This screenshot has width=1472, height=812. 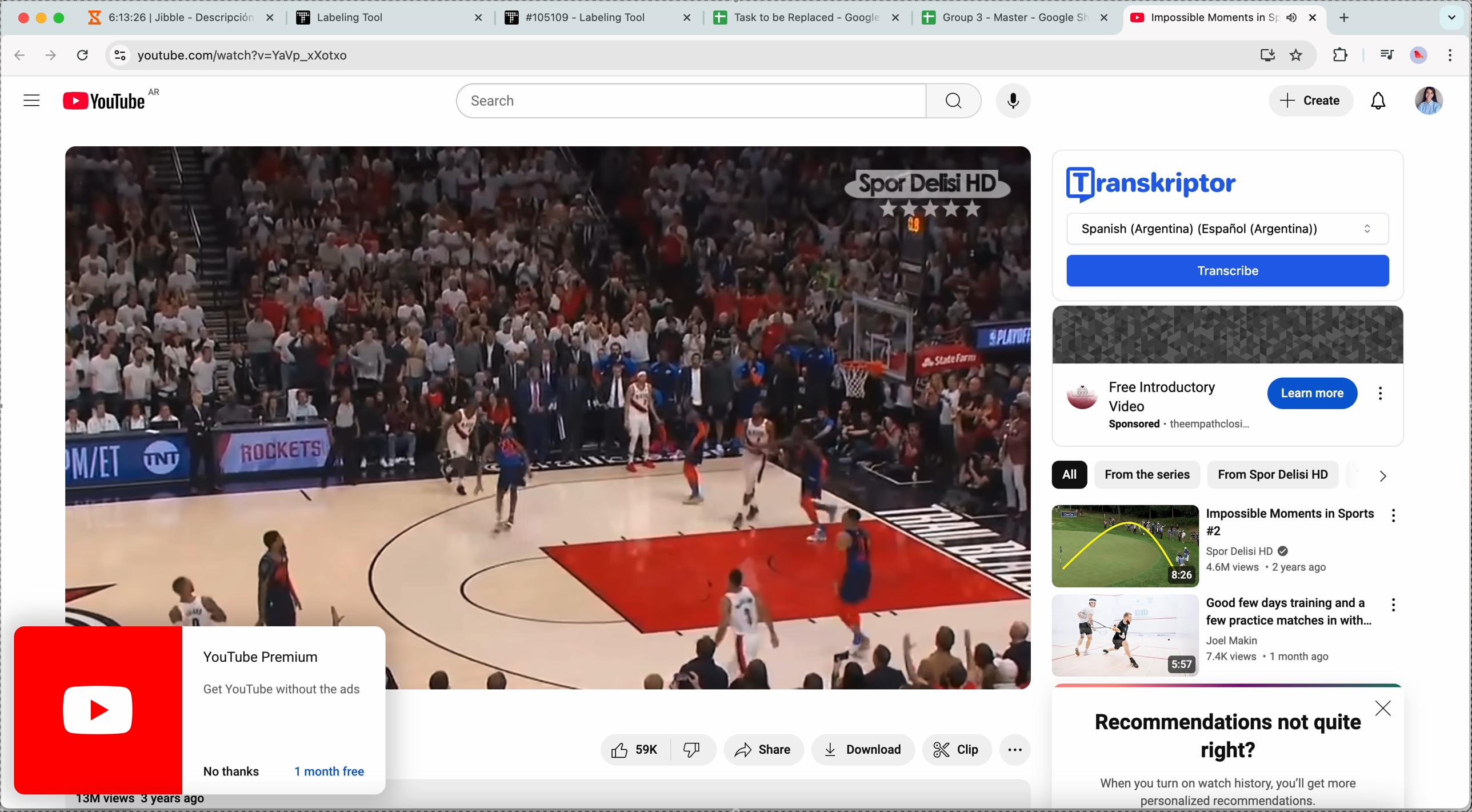 What do you see at coordinates (719, 101) in the screenshot?
I see `search bar` at bounding box center [719, 101].